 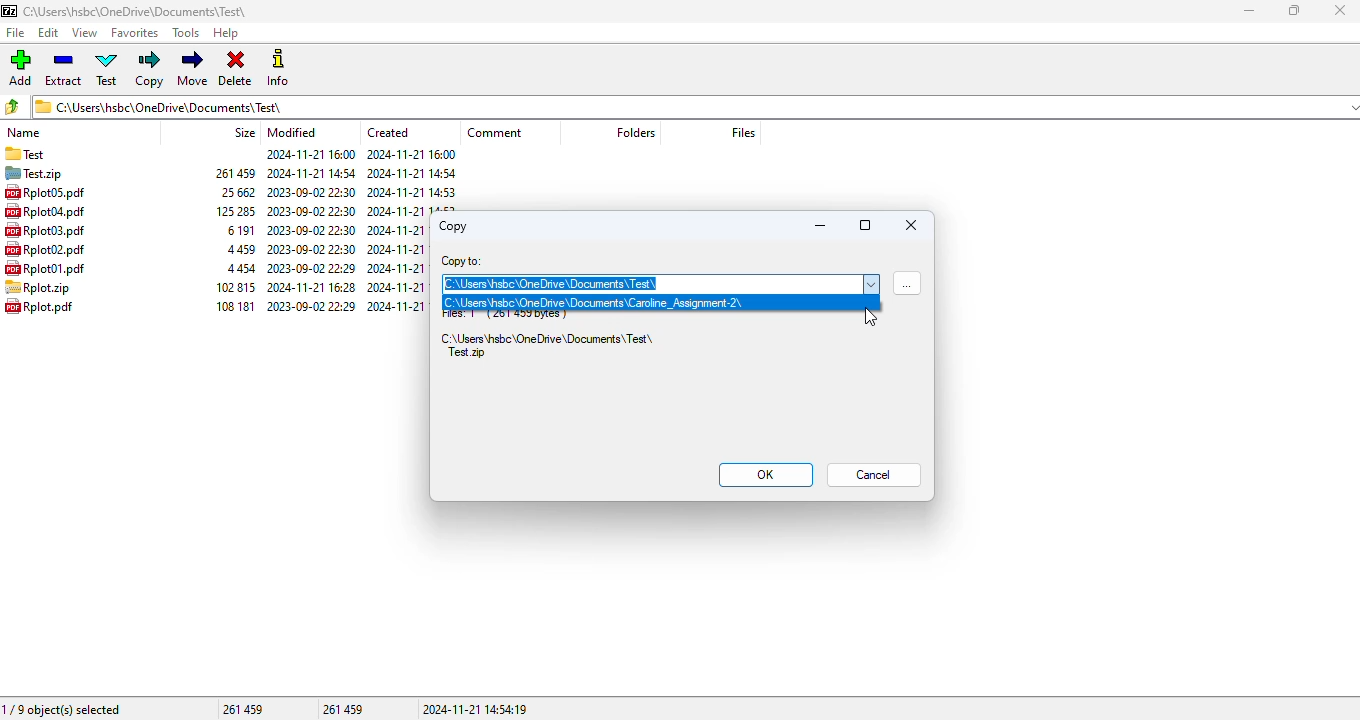 What do you see at coordinates (238, 230) in the screenshot?
I see `size` at bounding box center [238, 230].